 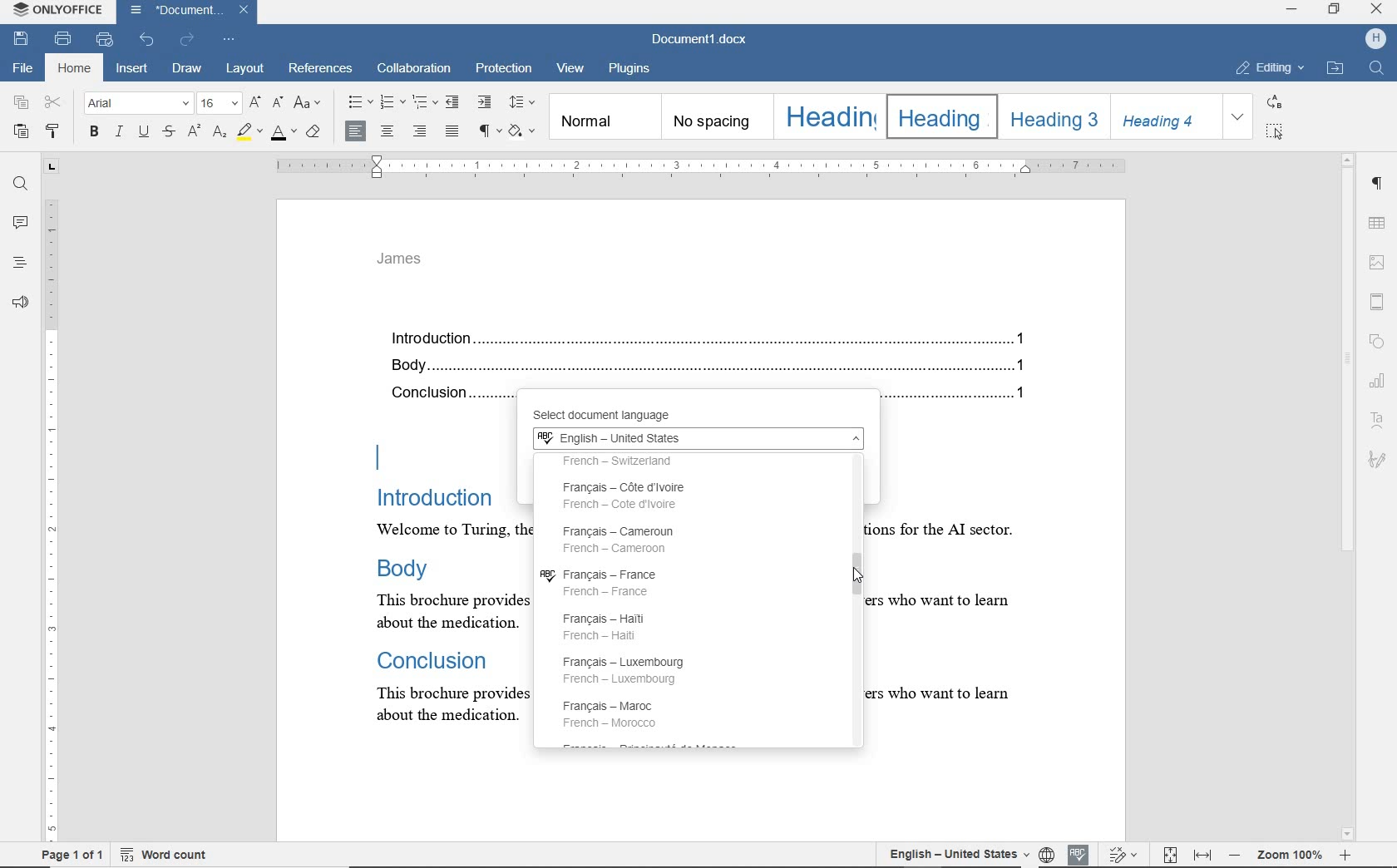 What do you see at coordinates (454, 101) in the screenshot?
I see `decrease indent` at bounding box center [454, 101].